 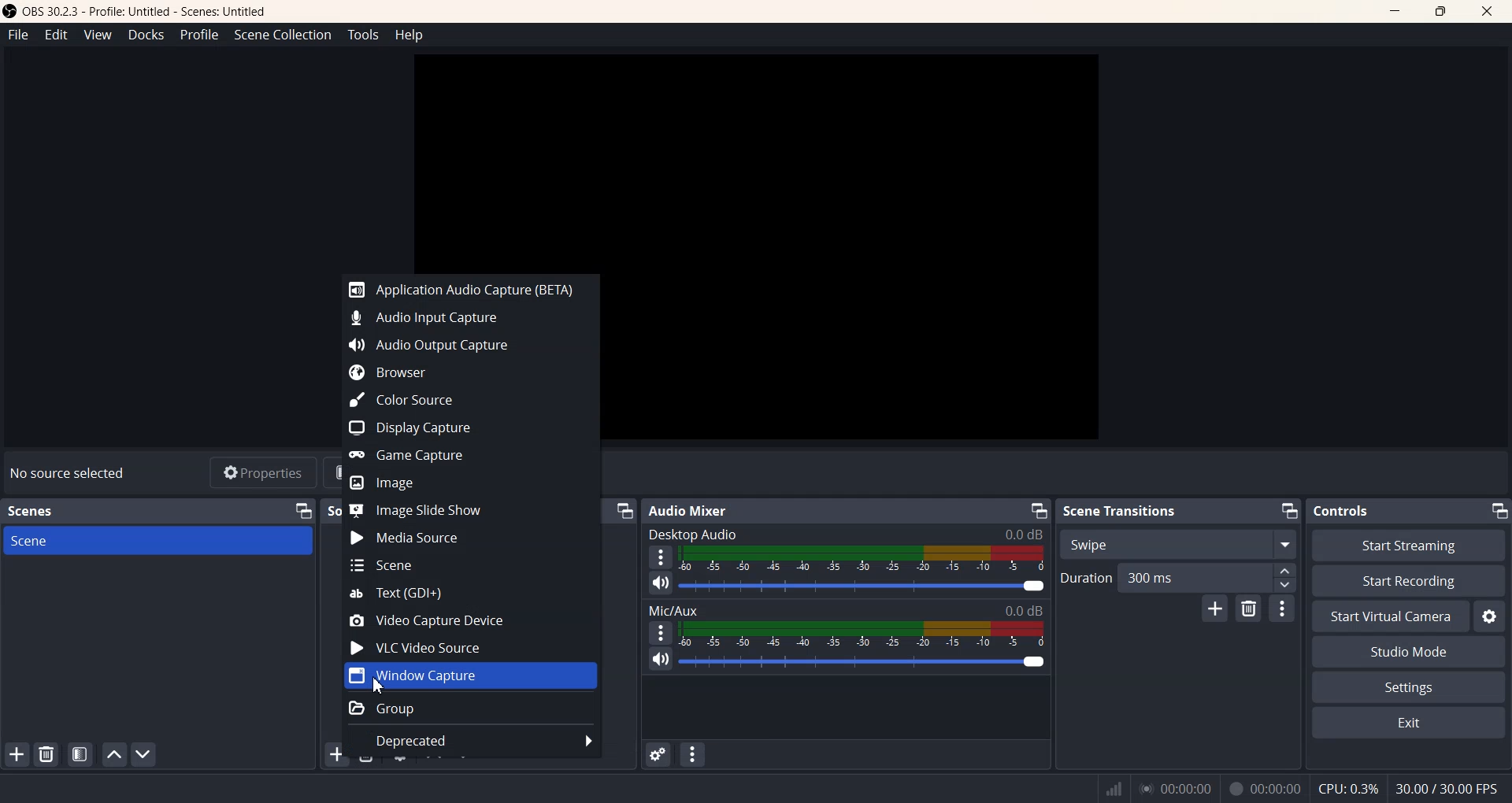 What do you see at coordinates (468, 591) in the screenshot?
I see `Text(GDI+)` at bounding box center [468, 591].